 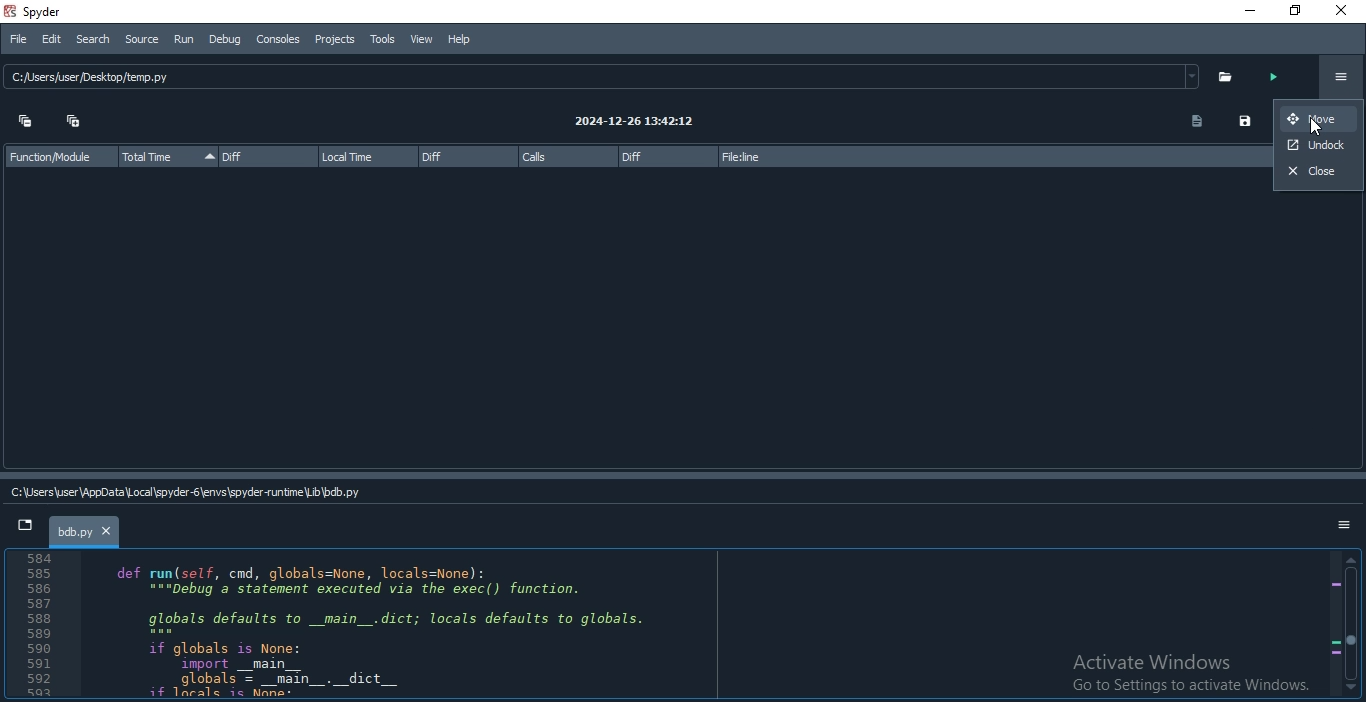 What do you see at coordinates (422, 40) in the screenshot?
I see `View` at bounding box center [422, 40].